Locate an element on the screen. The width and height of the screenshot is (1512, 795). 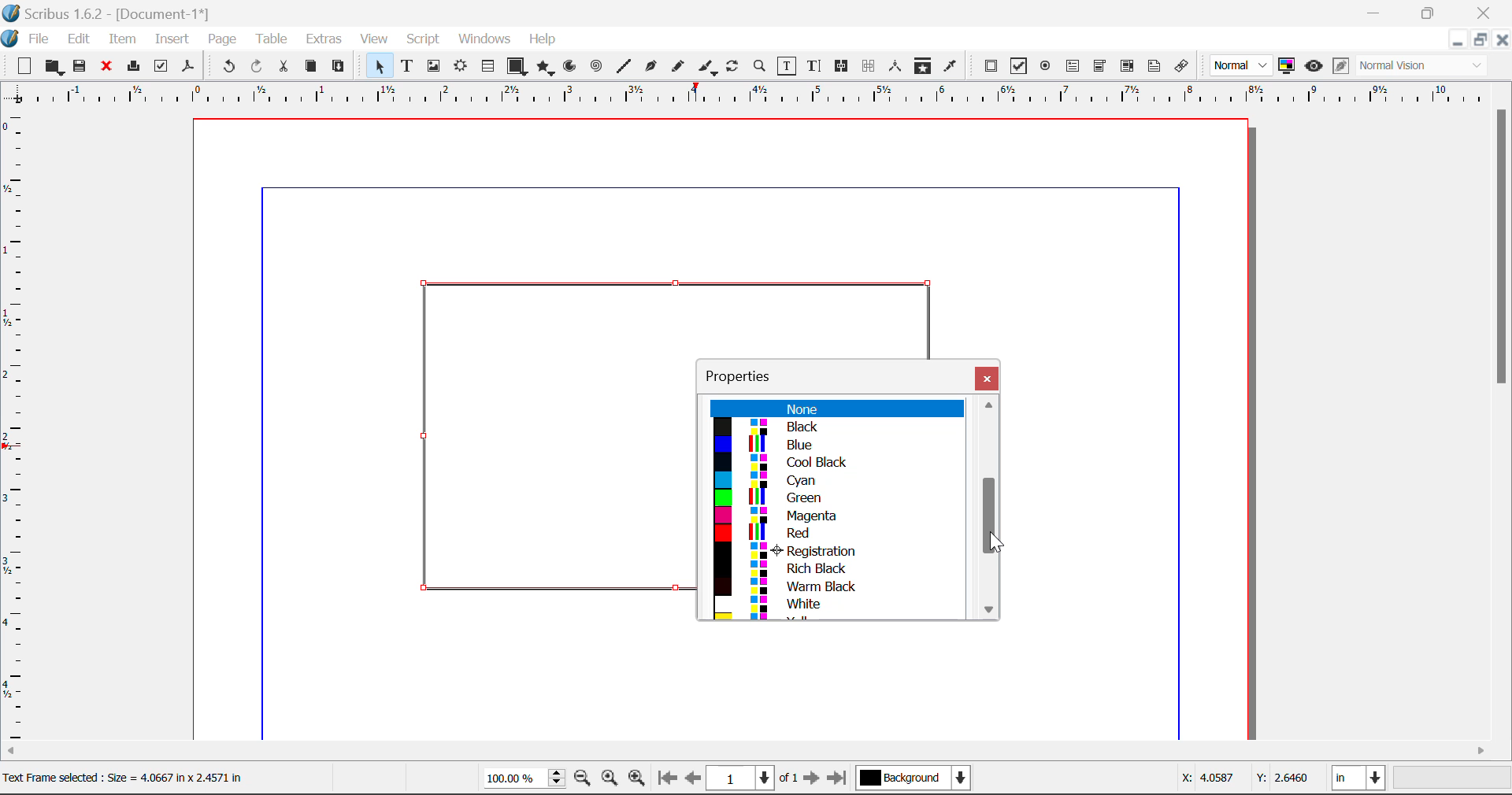
Zoom is located at coordinates (761, 65).